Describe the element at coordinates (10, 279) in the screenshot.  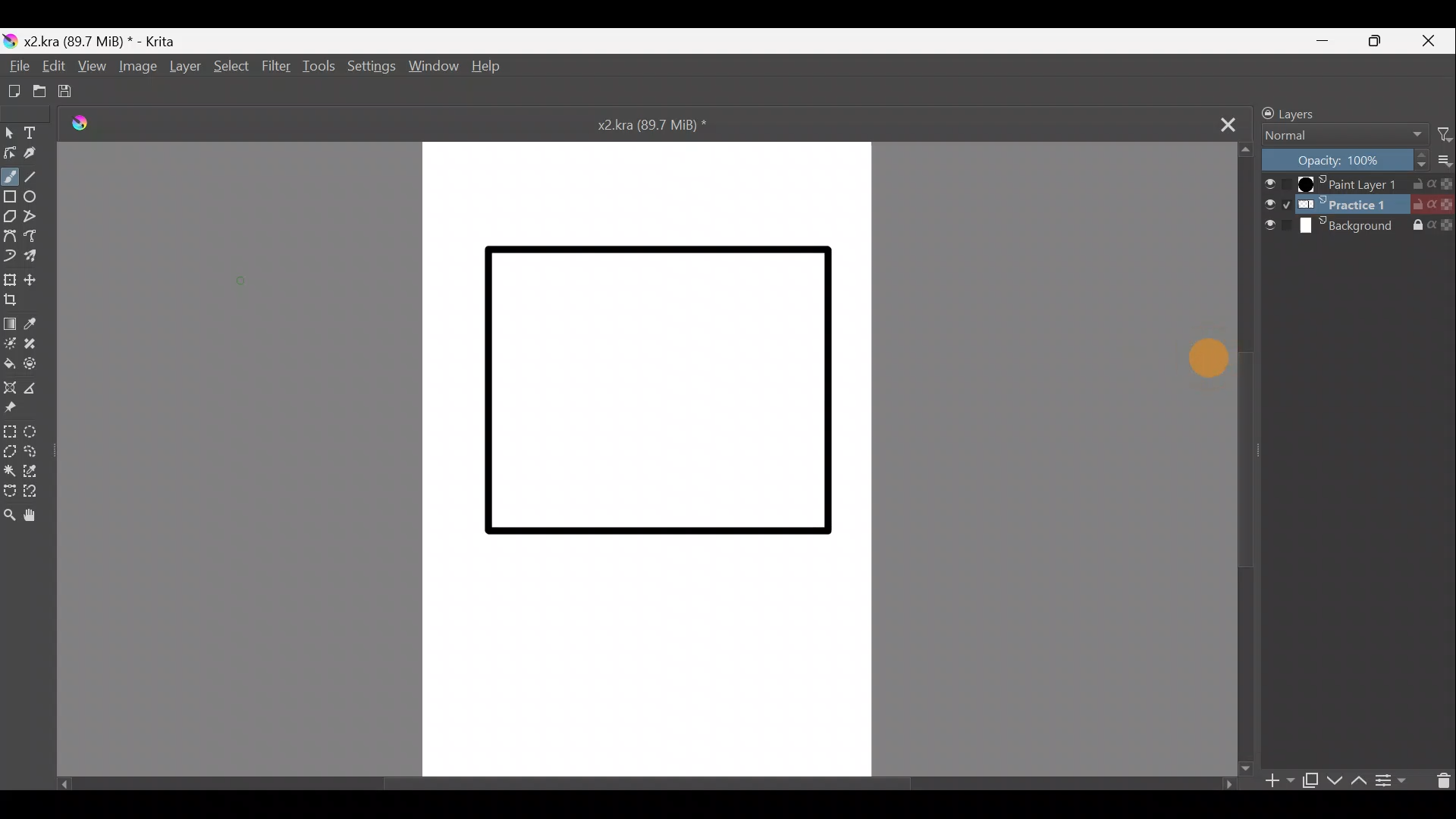
I see `Transform a layer/selection` at that location.